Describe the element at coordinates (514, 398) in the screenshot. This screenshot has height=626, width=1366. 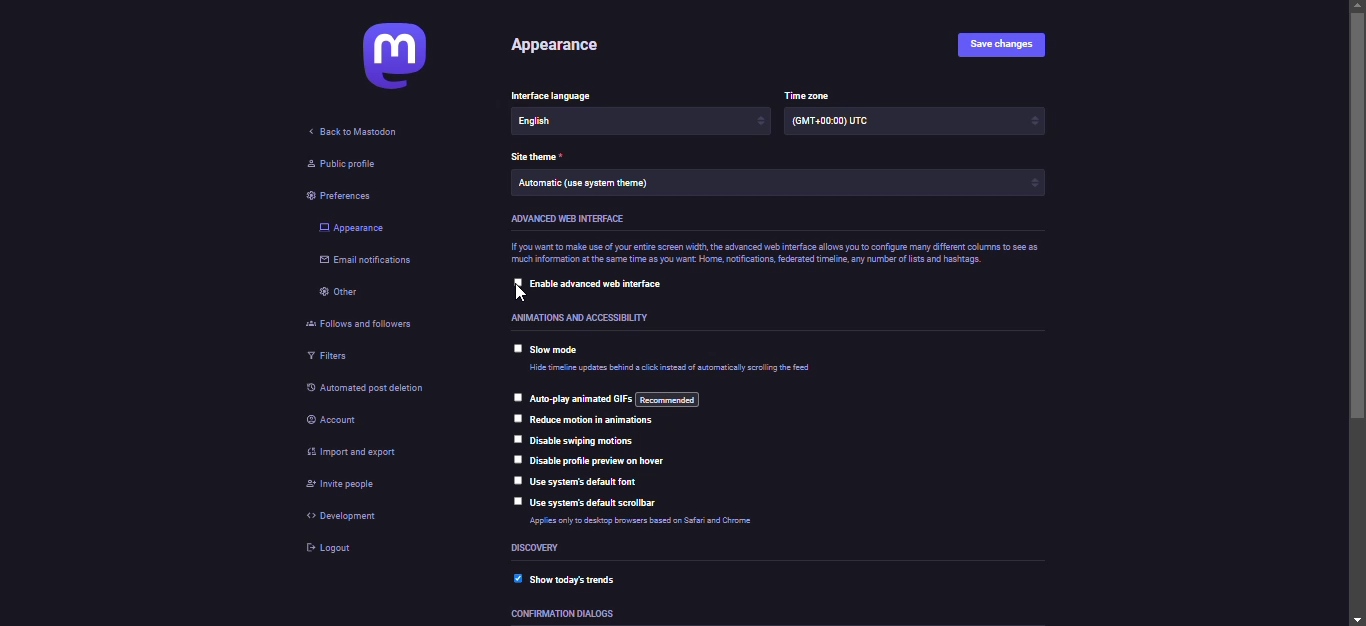
I see `click to select` at that location.